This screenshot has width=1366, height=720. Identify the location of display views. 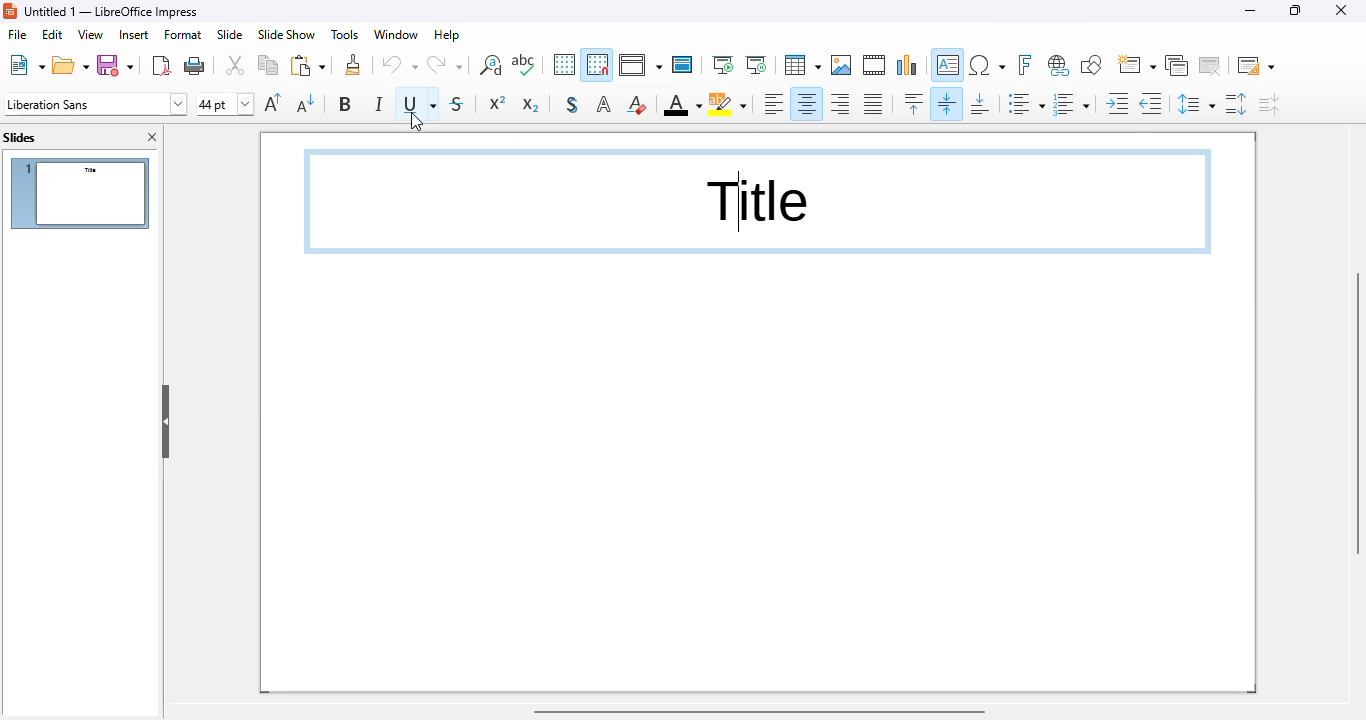
(641, 65).